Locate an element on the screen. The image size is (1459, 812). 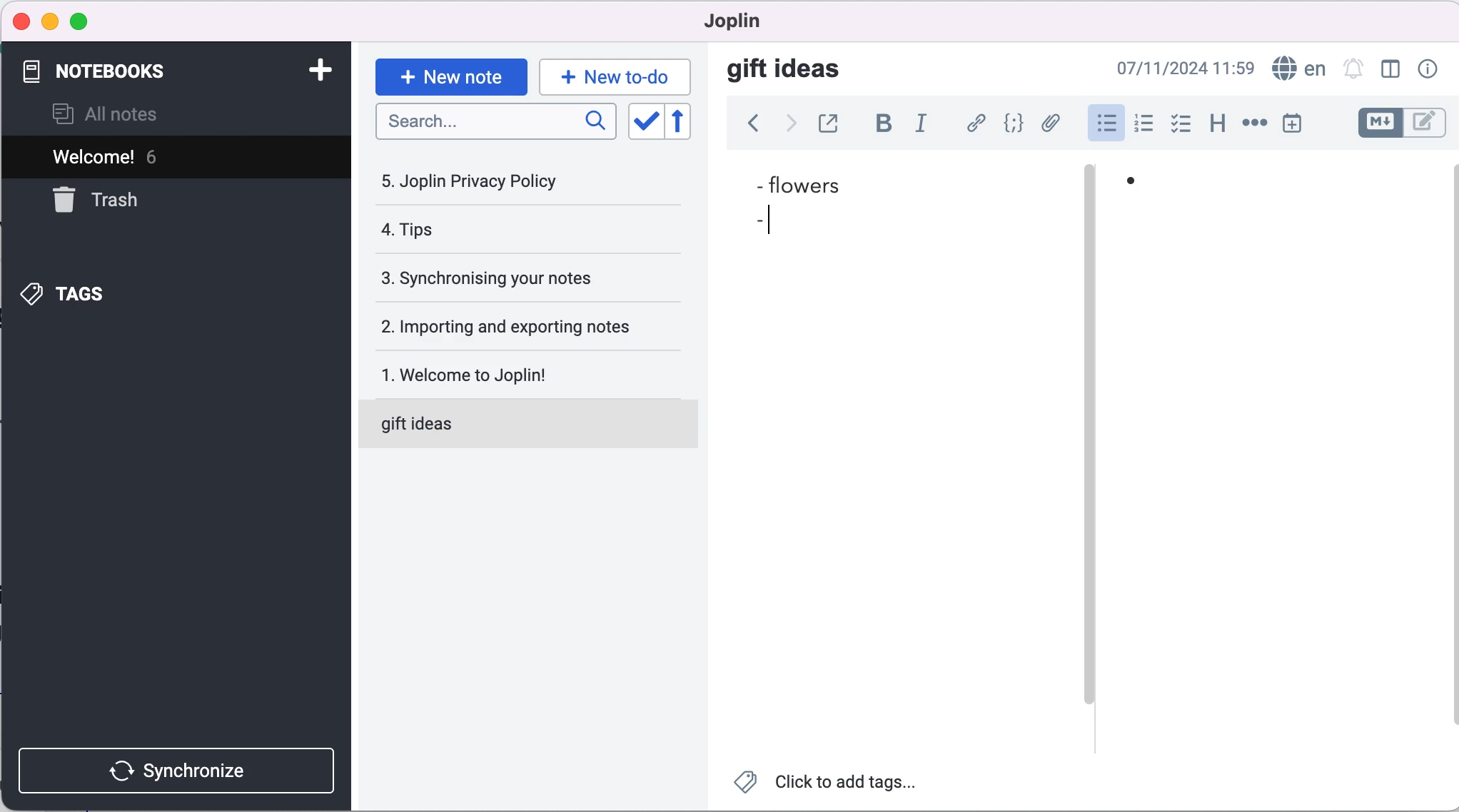
reverse sort order is located at coordinates (682, 122).